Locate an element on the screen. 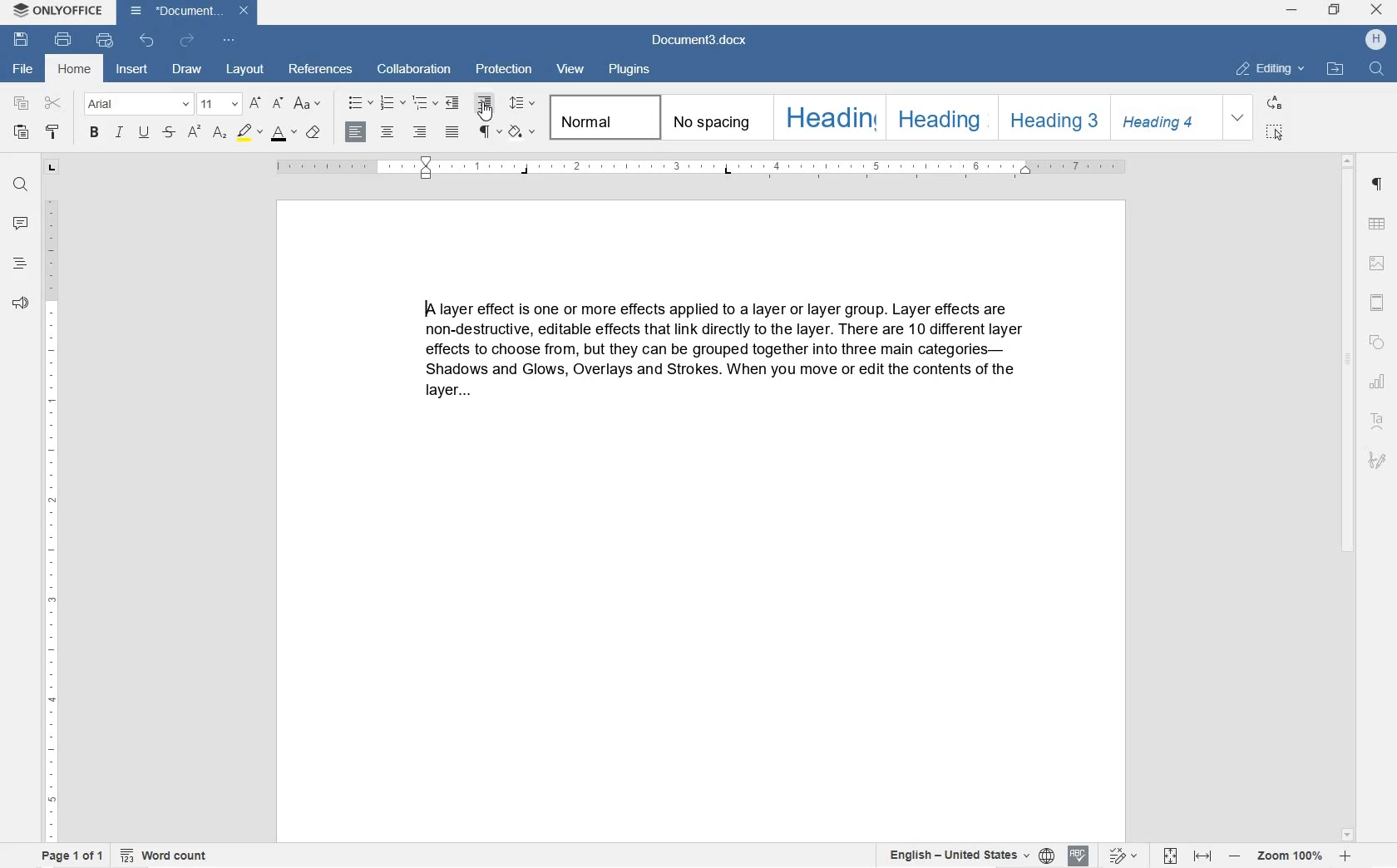 Image resolution: width=1397 pixels, height=868 pixels. UNDO is located at coordinates (150, 42).